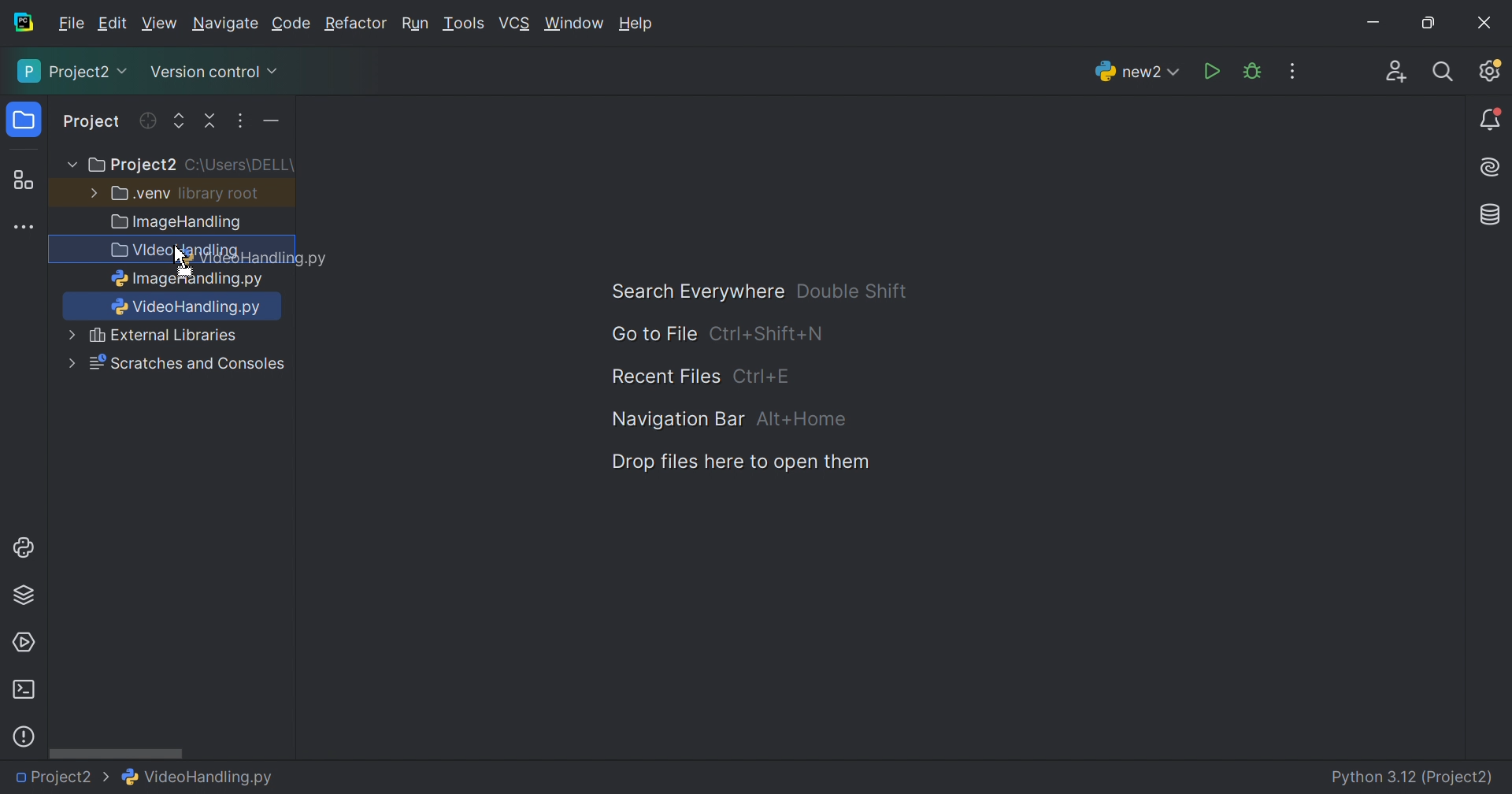 The height and width of the screenshot is (794, 1512). I want to click on File, so click(72, 24).